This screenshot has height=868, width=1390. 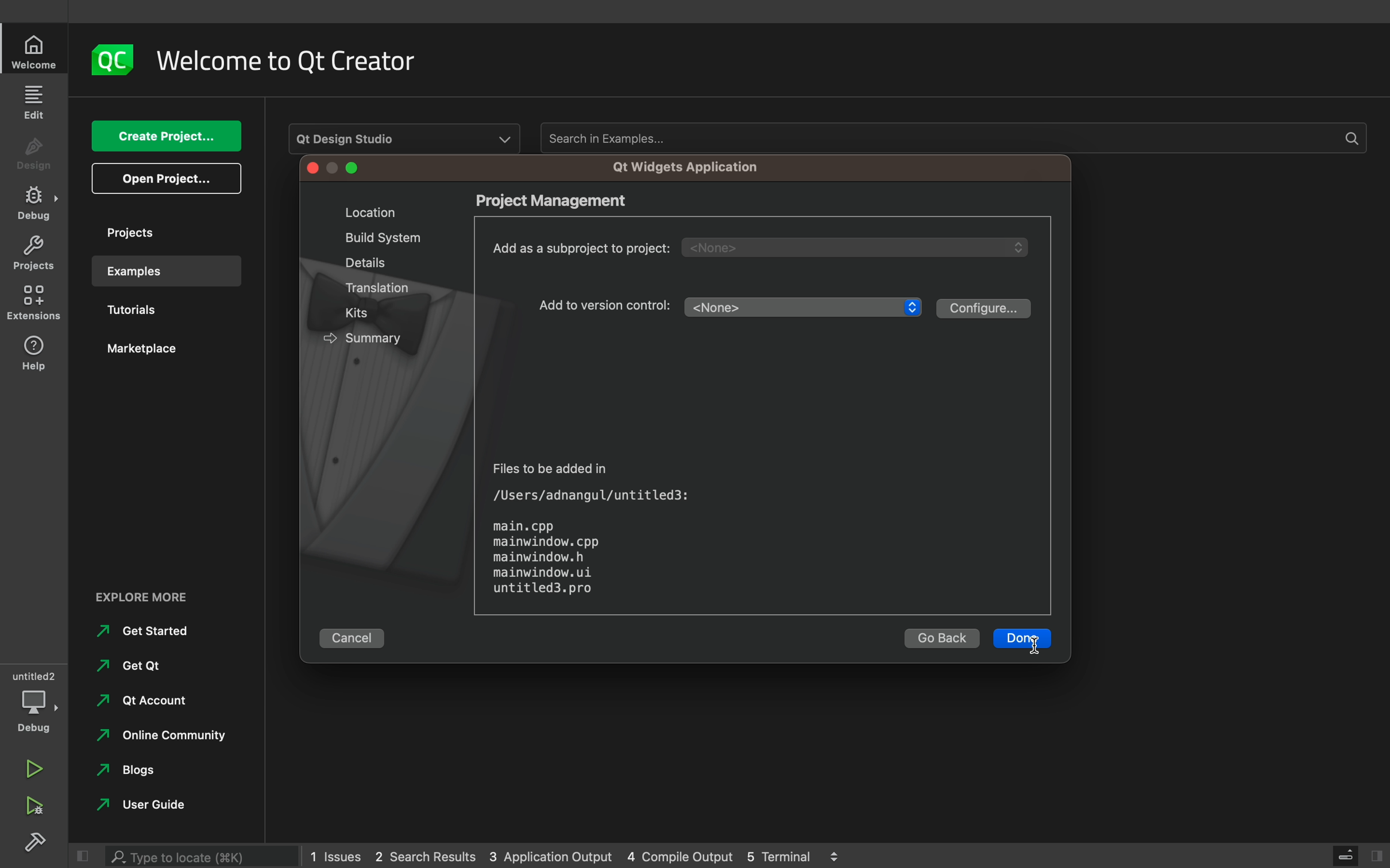 What do you see at coordinates (1039, 646) in the screenshot?
I see `cursor` at bounding box center [1039, 646].